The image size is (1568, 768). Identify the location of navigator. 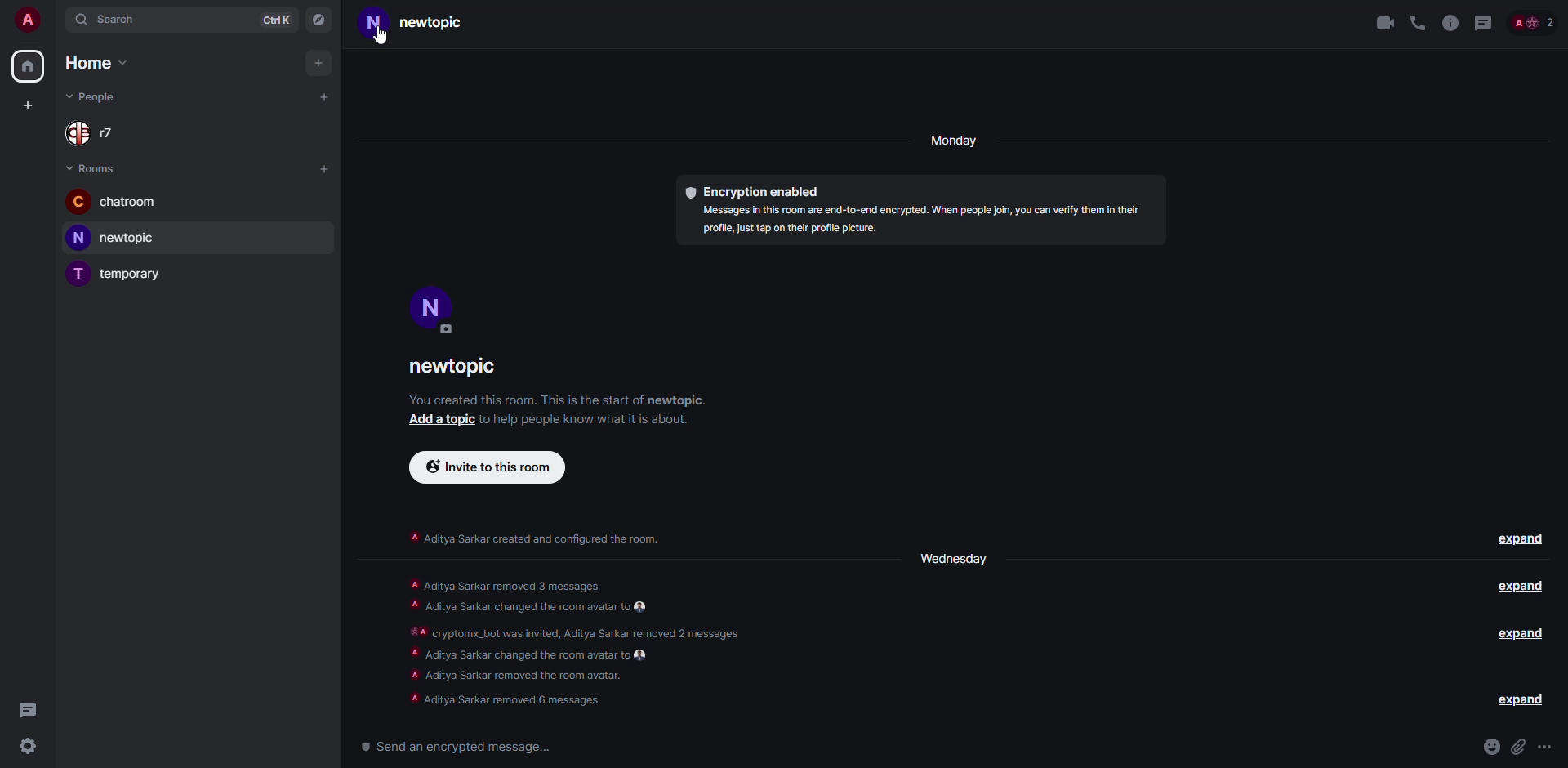
(318, 20).